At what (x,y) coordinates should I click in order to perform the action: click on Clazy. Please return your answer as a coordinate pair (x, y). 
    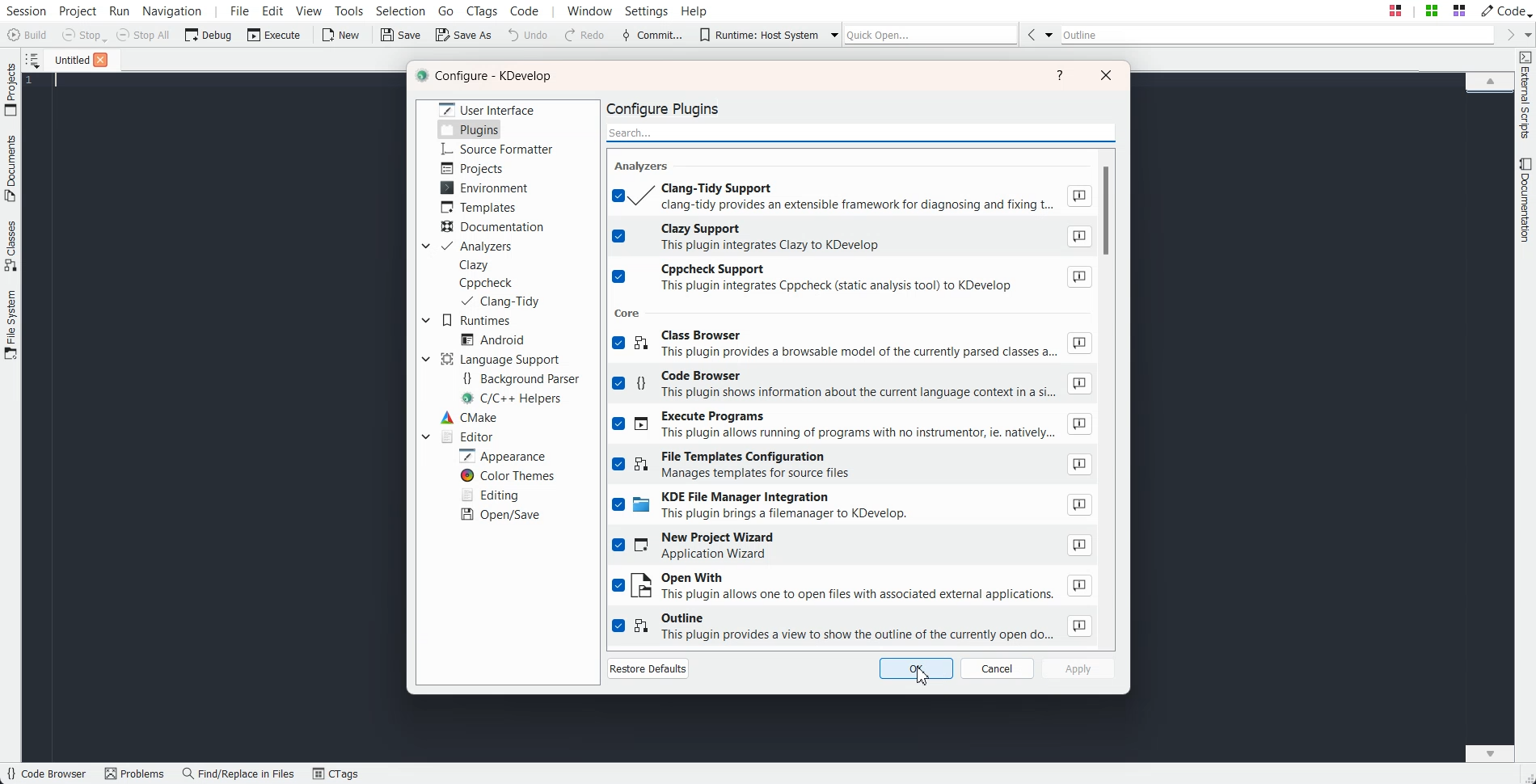
    Looking at the image, I should click on (475, 265).